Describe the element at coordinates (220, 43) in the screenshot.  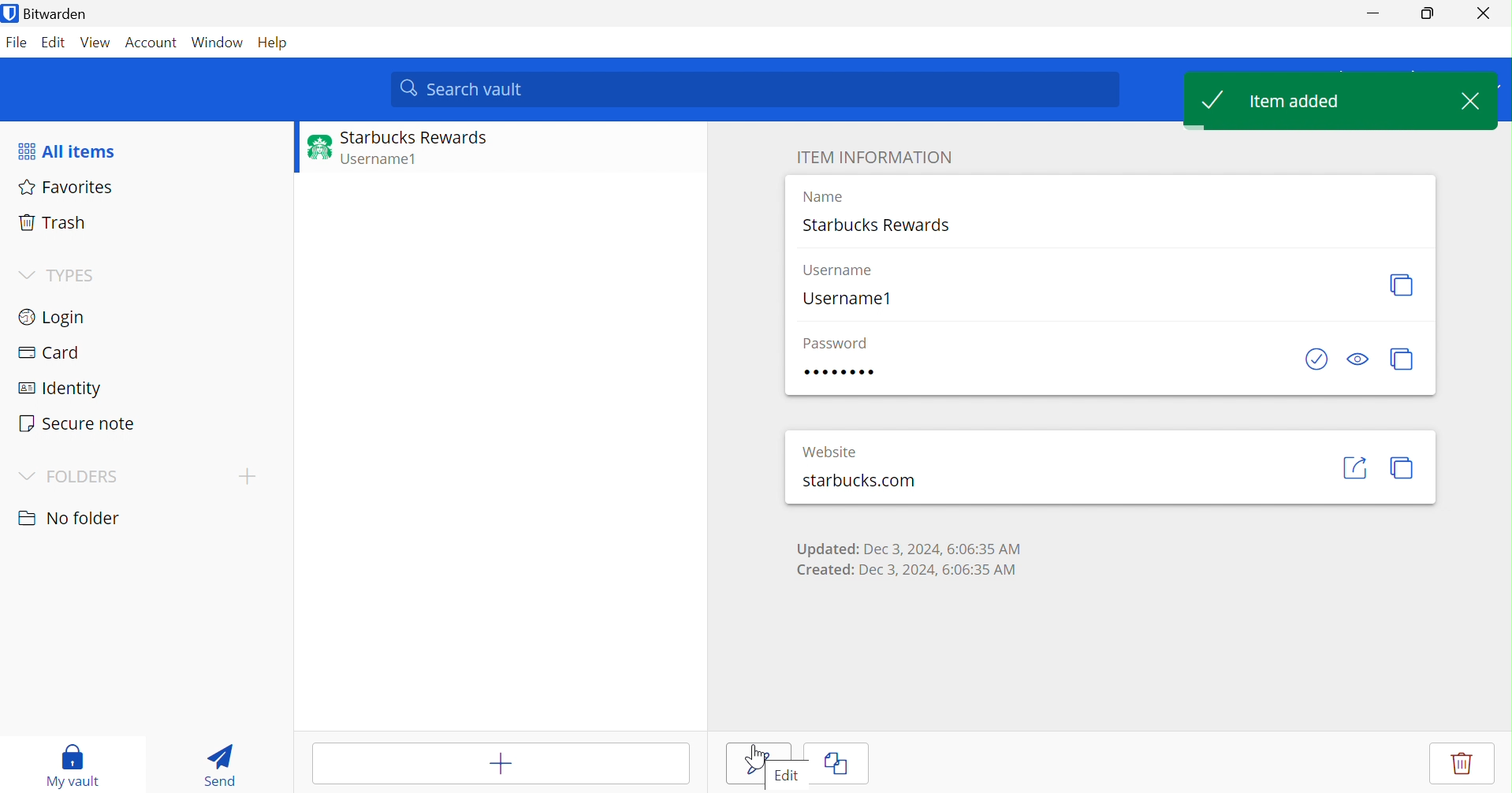
I see `Window` at that location.